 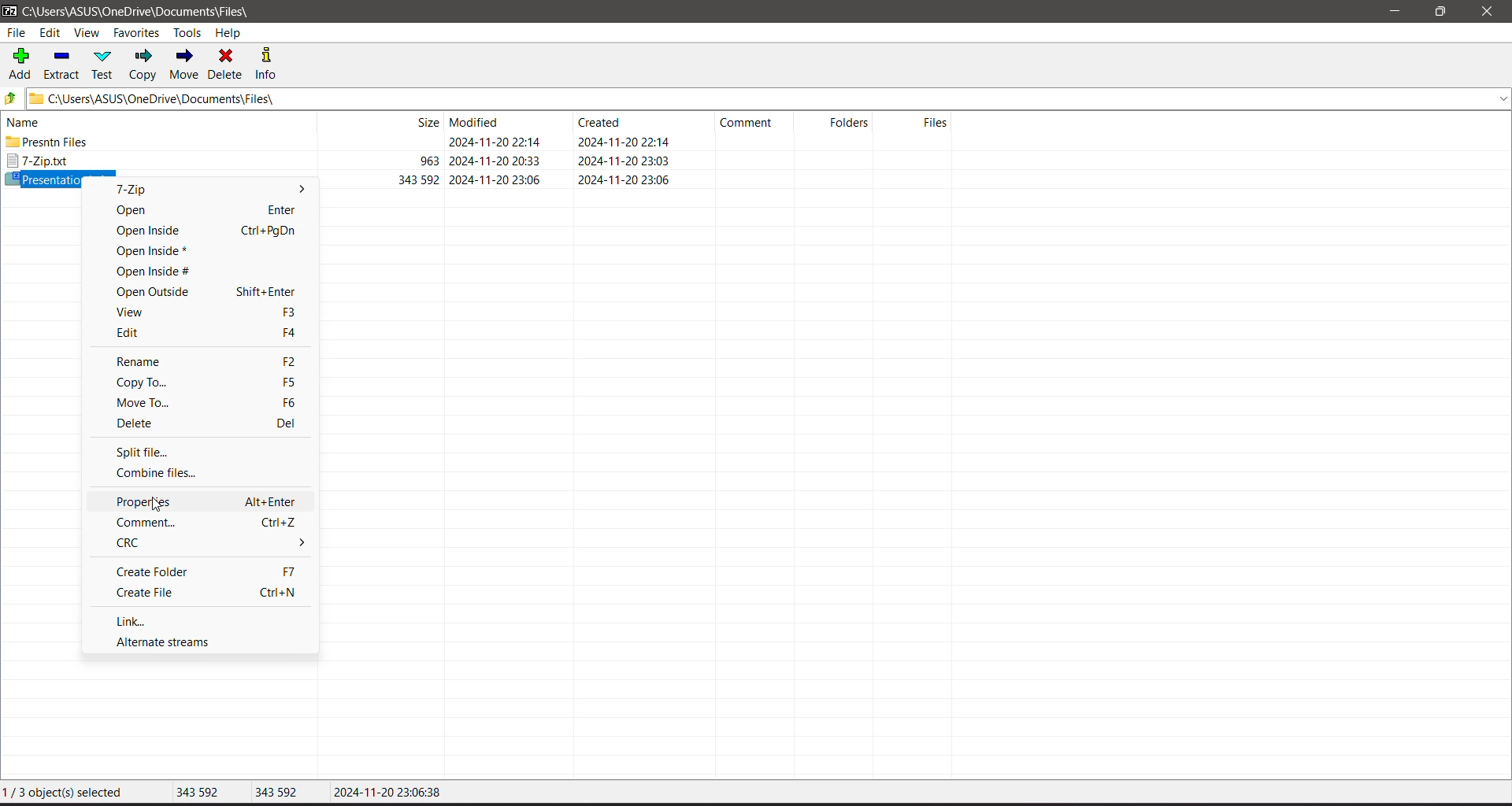 I want to click on 343 592, so click(x=199, y=790).